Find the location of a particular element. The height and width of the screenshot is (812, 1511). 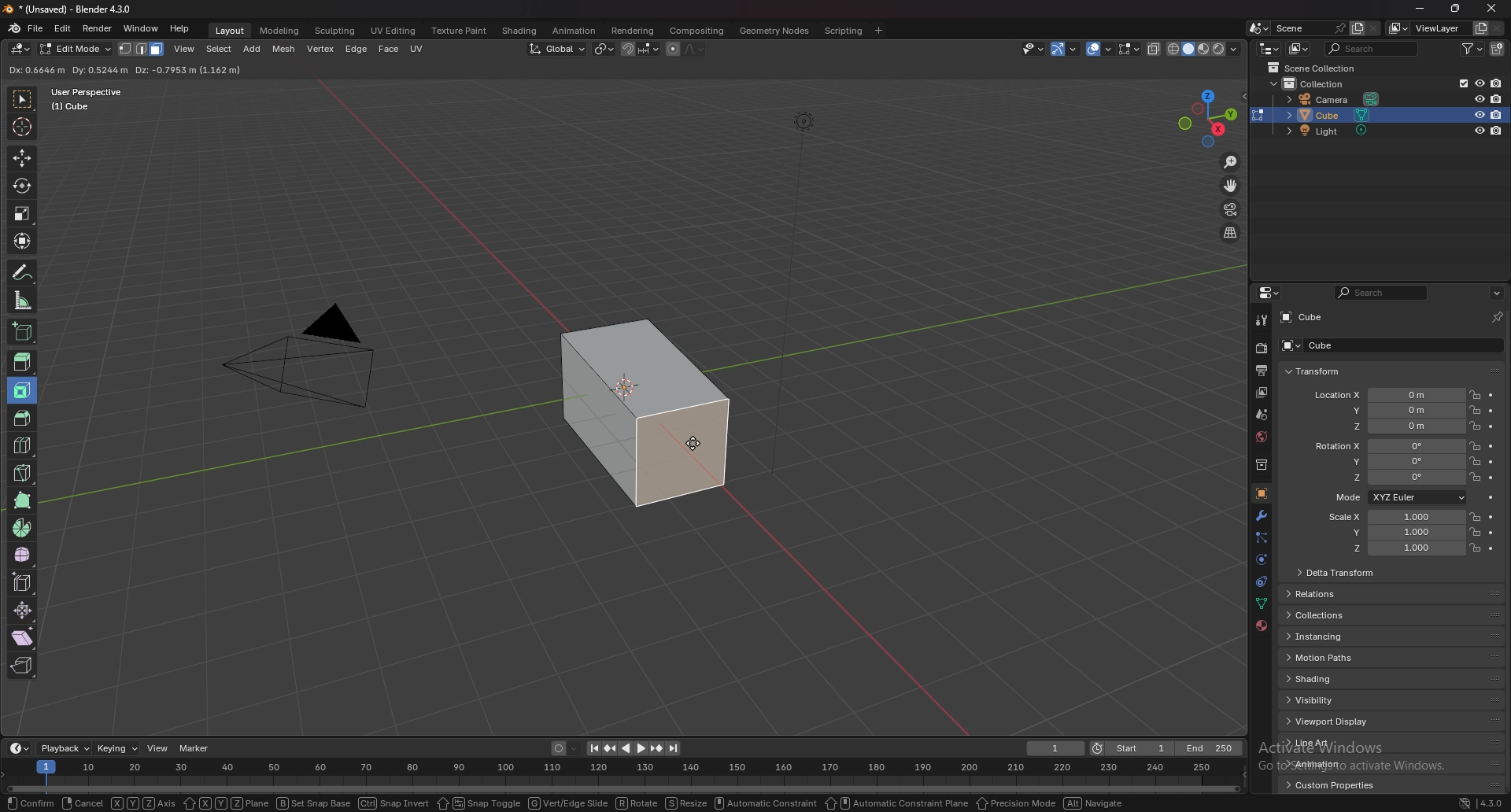

texture paint is located at coordinates (461, 31).